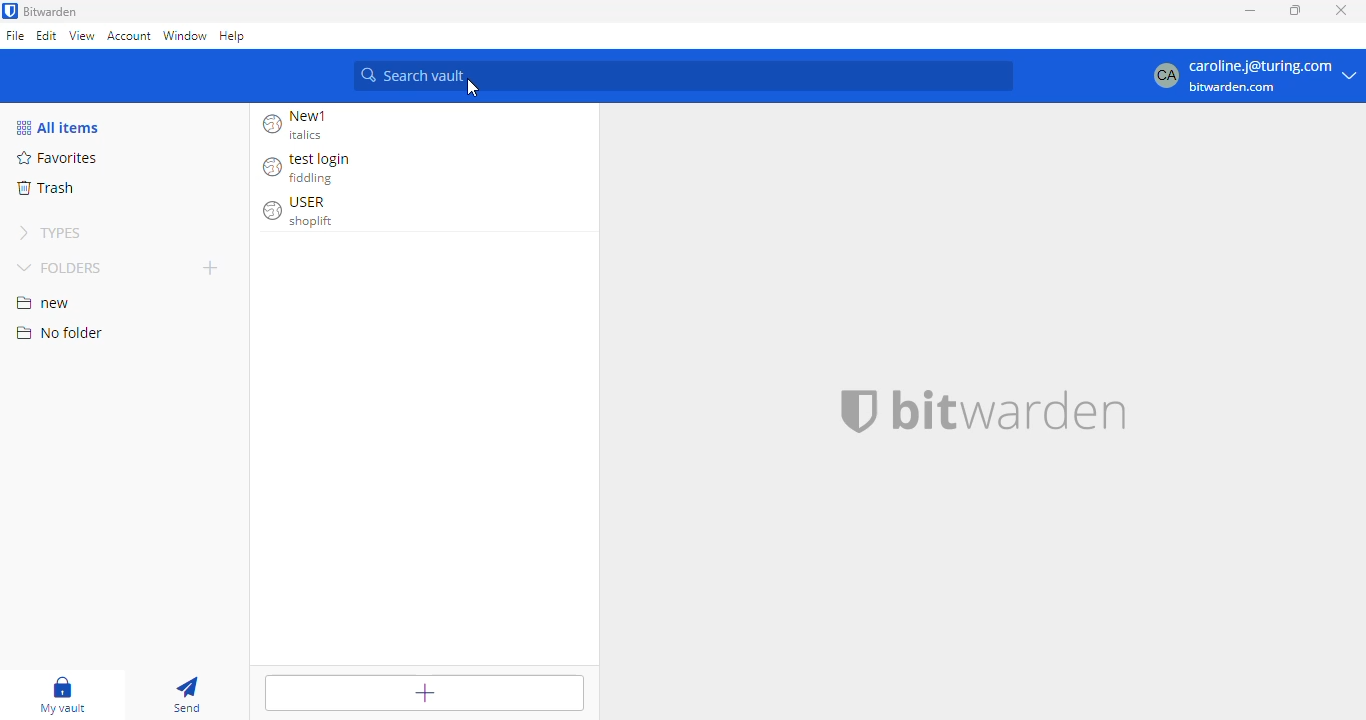 This screenshot has width=1366, height=720. What do you see at coordinates (1342, 10) in the screenshot?
I see `close` at bounding box center [1342, 10].